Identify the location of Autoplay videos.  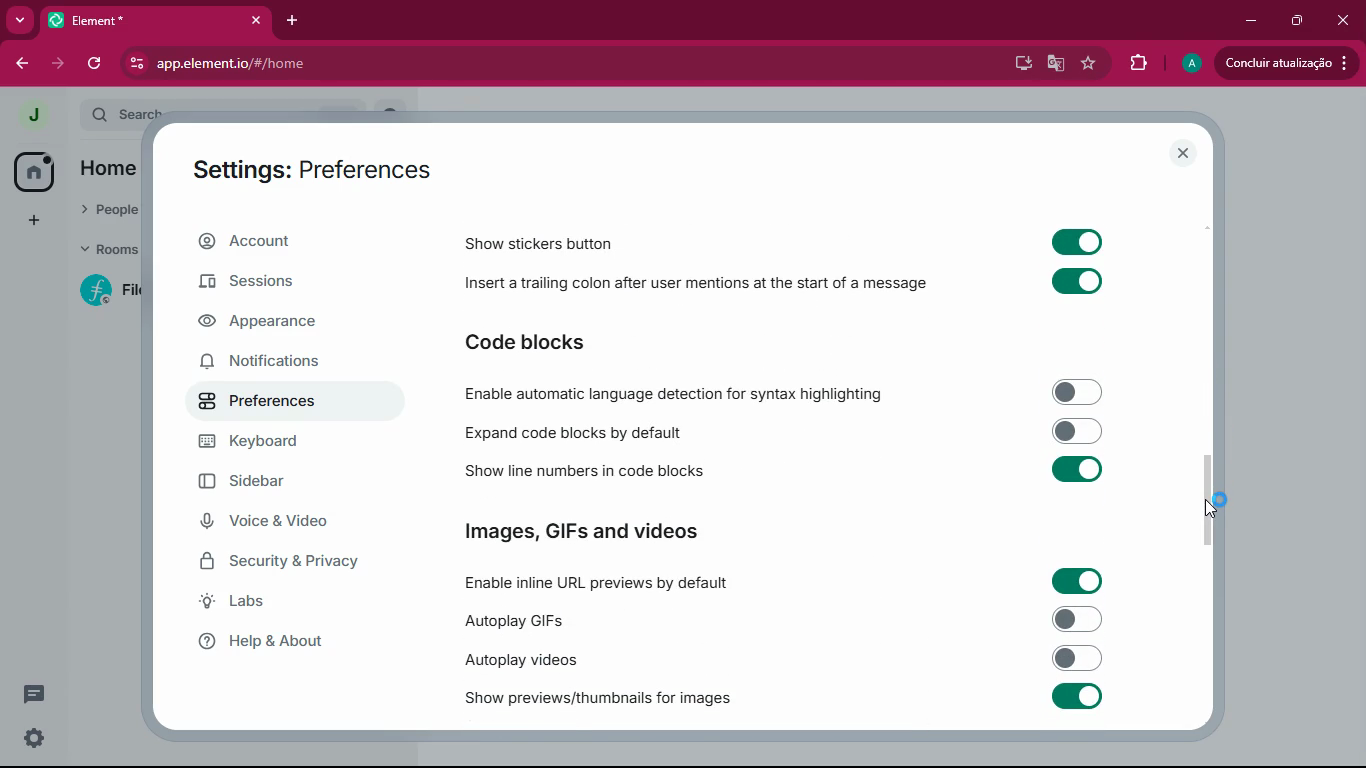
(518, 660).